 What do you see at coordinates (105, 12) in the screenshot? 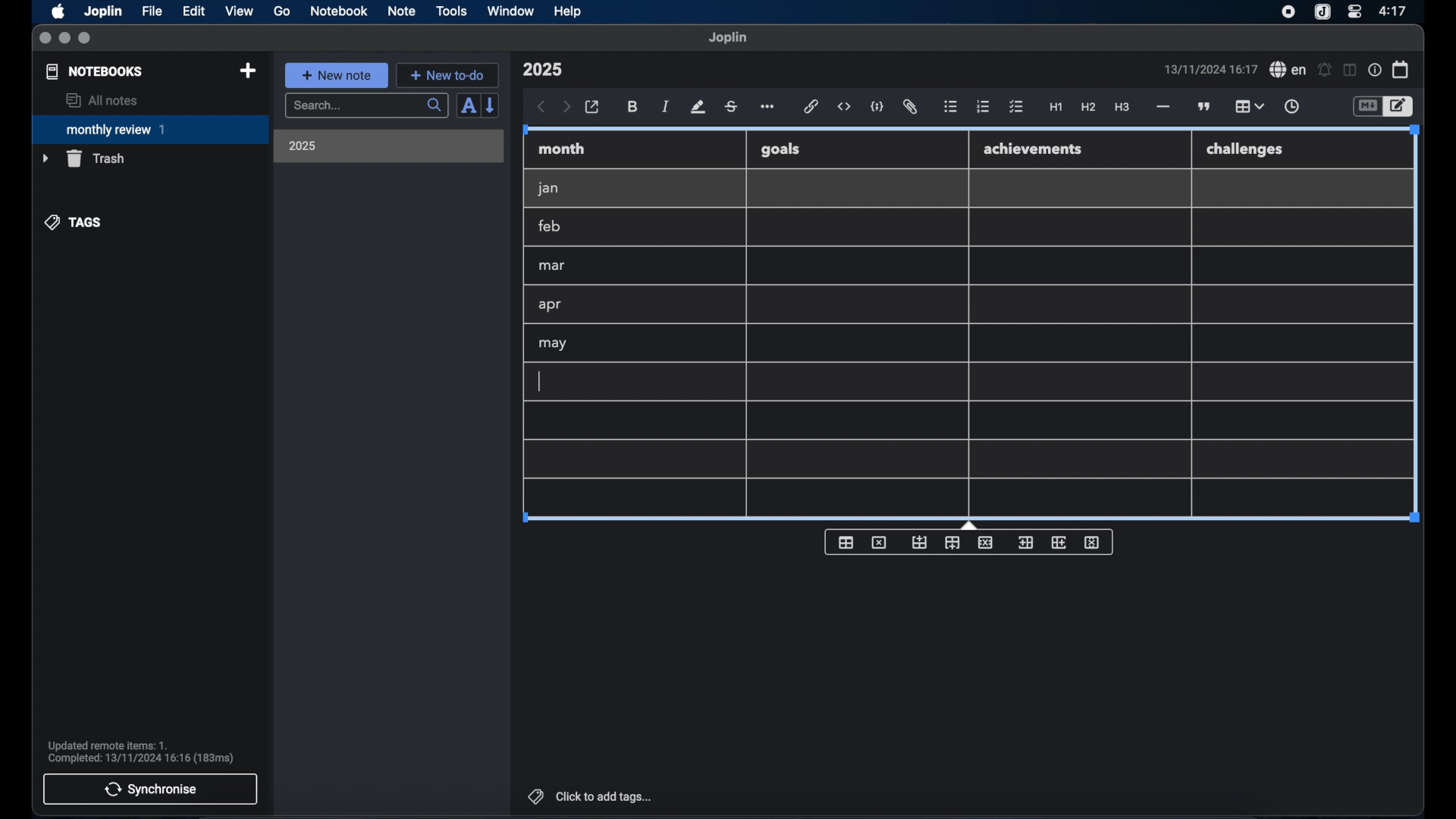
I see `Joplin` at bounding box center [105, 12].